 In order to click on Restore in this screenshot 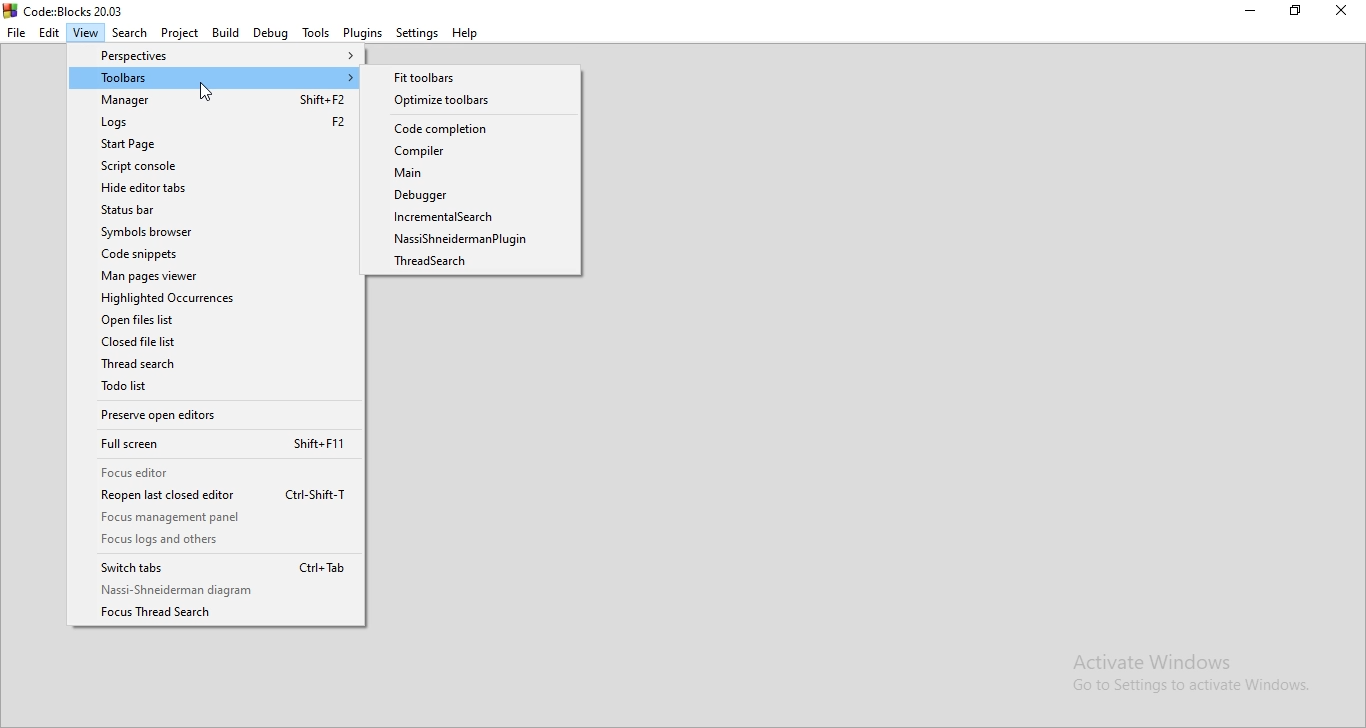, I will do `click(1298, 13)`.